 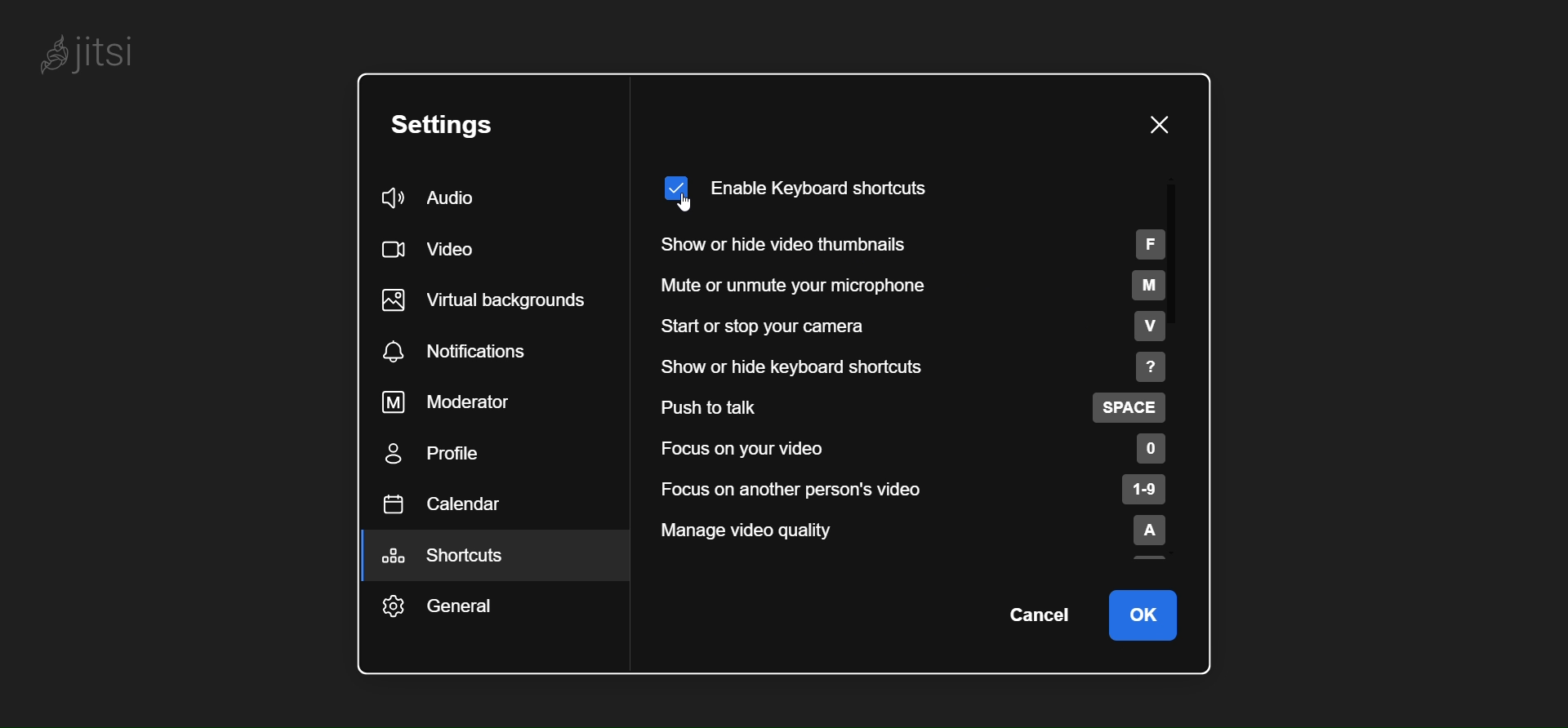 What do you see at coordinates (916, 449) in the screenshot?
I see `focus on your video` at bounding box center [916, 449].